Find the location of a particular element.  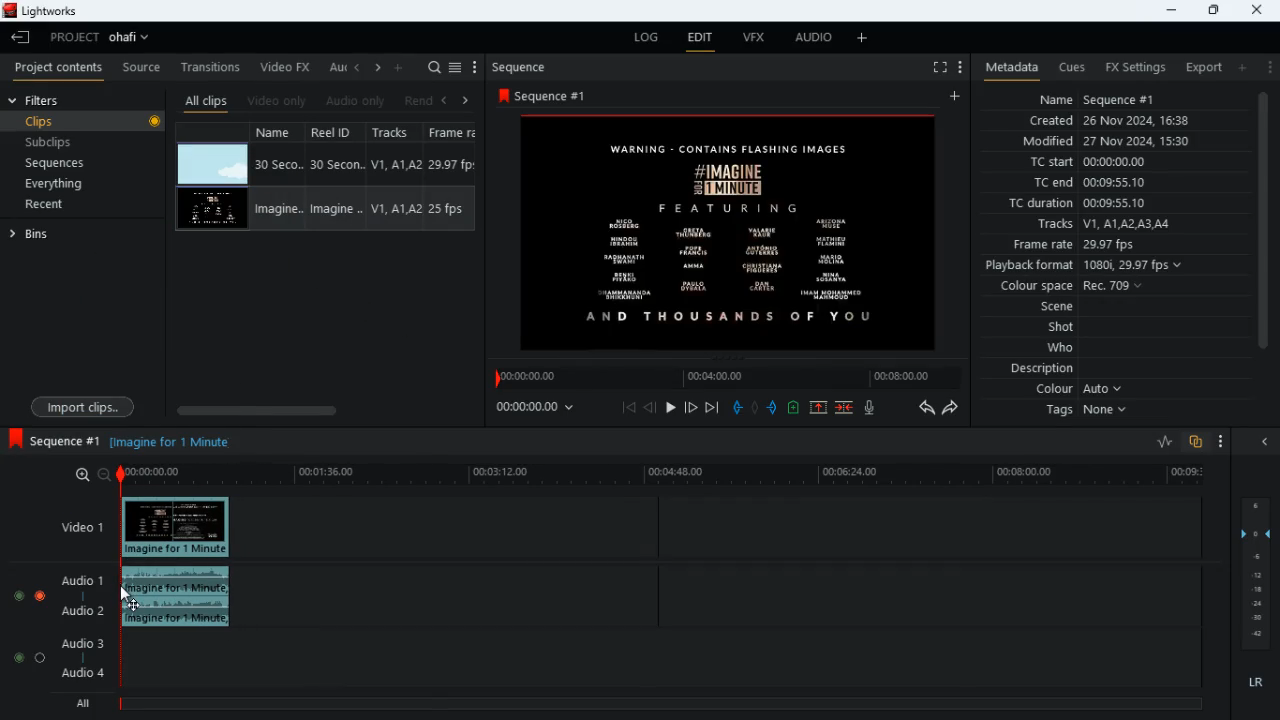

menu is located at coordinates (475, 68).